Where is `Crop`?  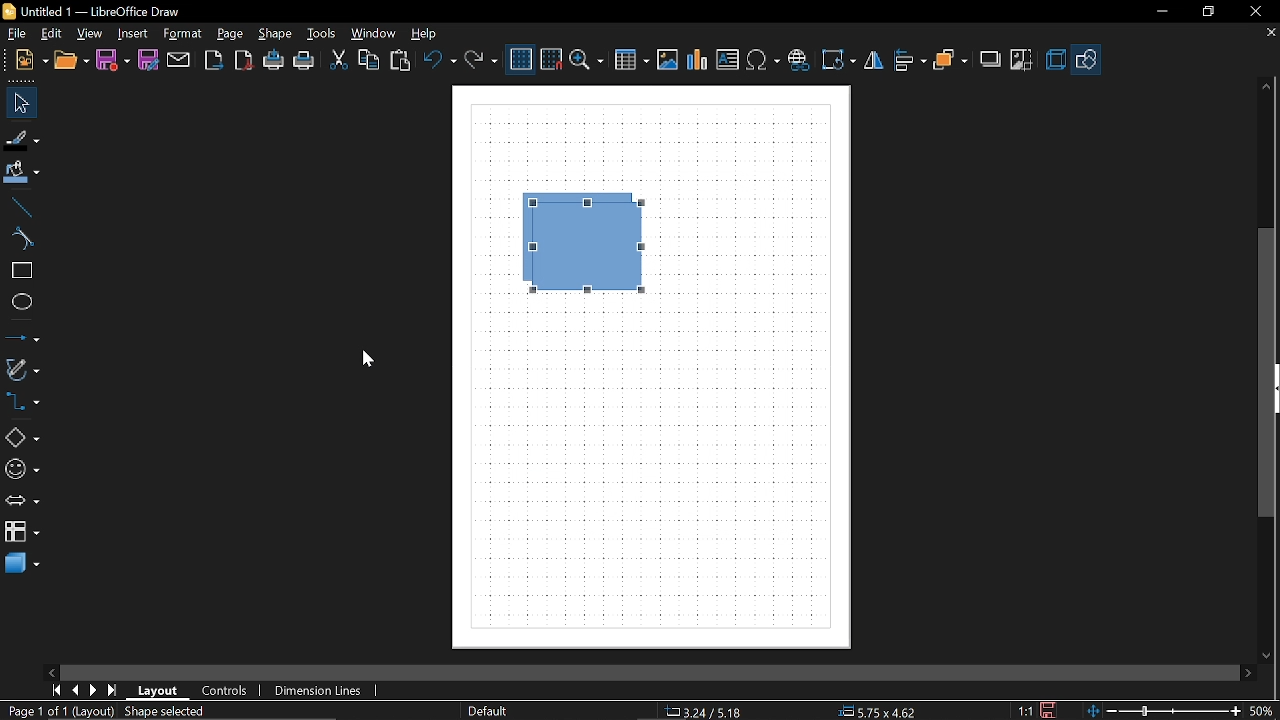
Crop is located at coordinates (1022, 61).